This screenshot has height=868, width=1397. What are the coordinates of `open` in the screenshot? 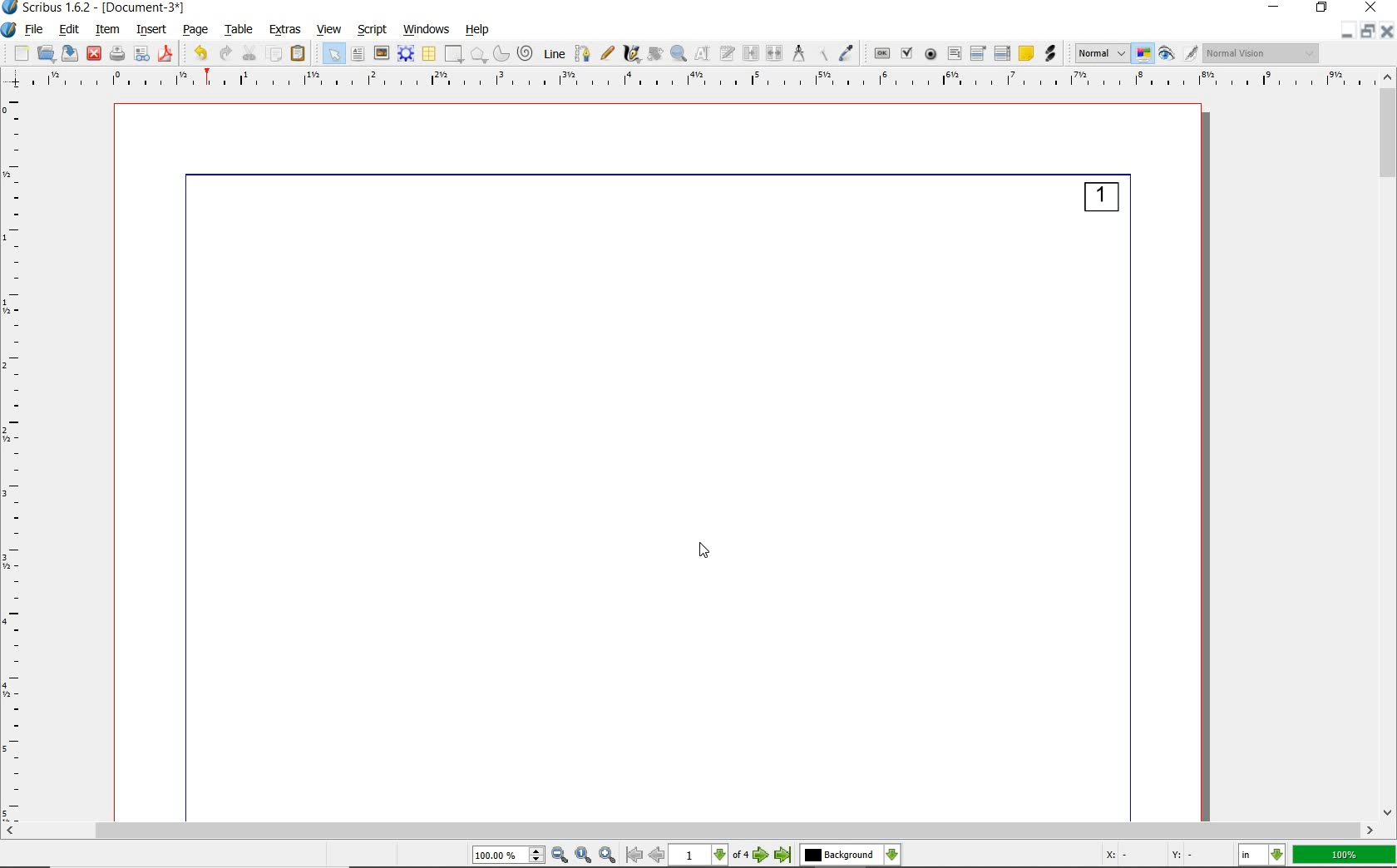 It's located at (47, 53).